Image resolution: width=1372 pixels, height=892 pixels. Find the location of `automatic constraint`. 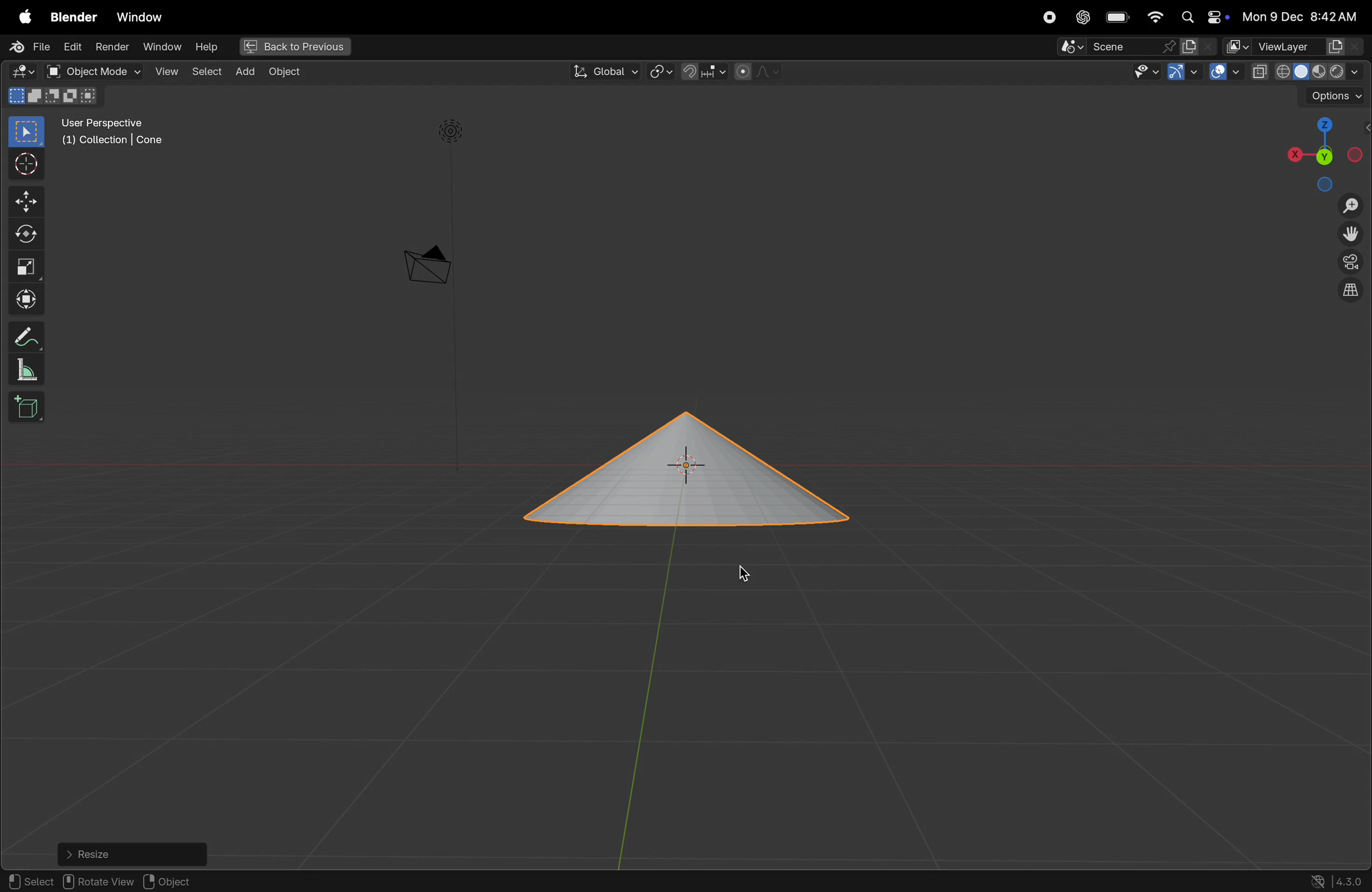

automatic constraint is located at coordinates (884, 880).